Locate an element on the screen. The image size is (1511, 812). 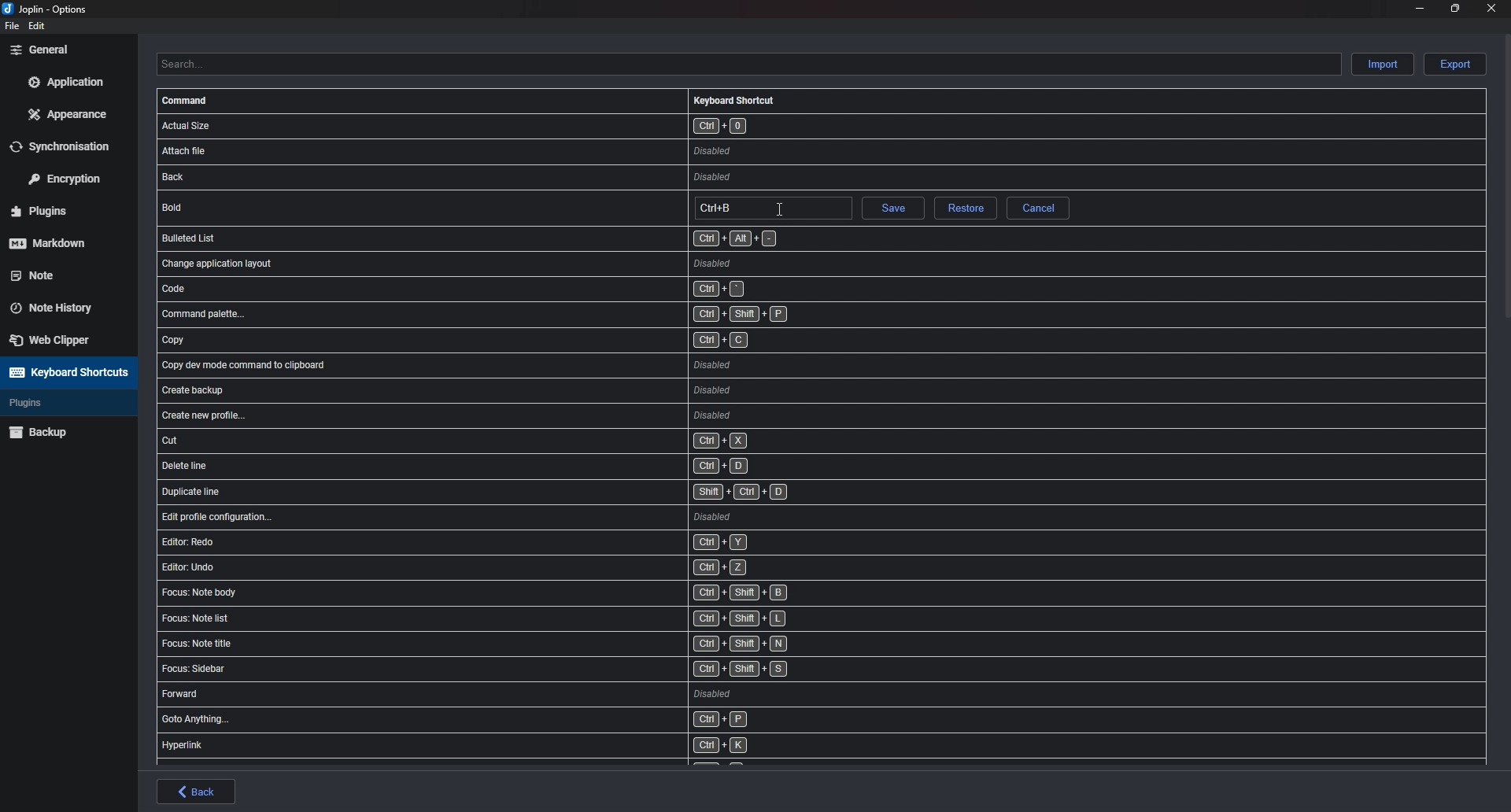
Restore is located at coordinates (964, 209).